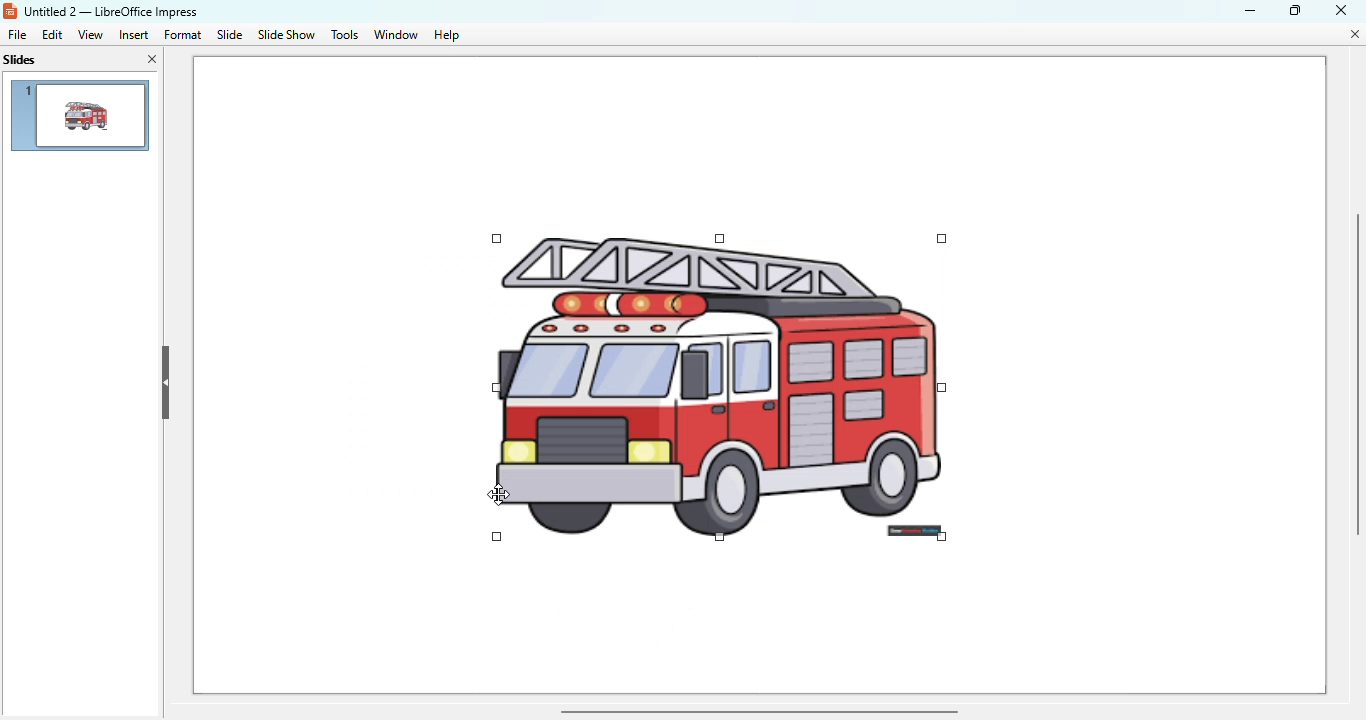 This screenshot has height=720, width=1366. I want to click on corner handles, so click(625, 238).